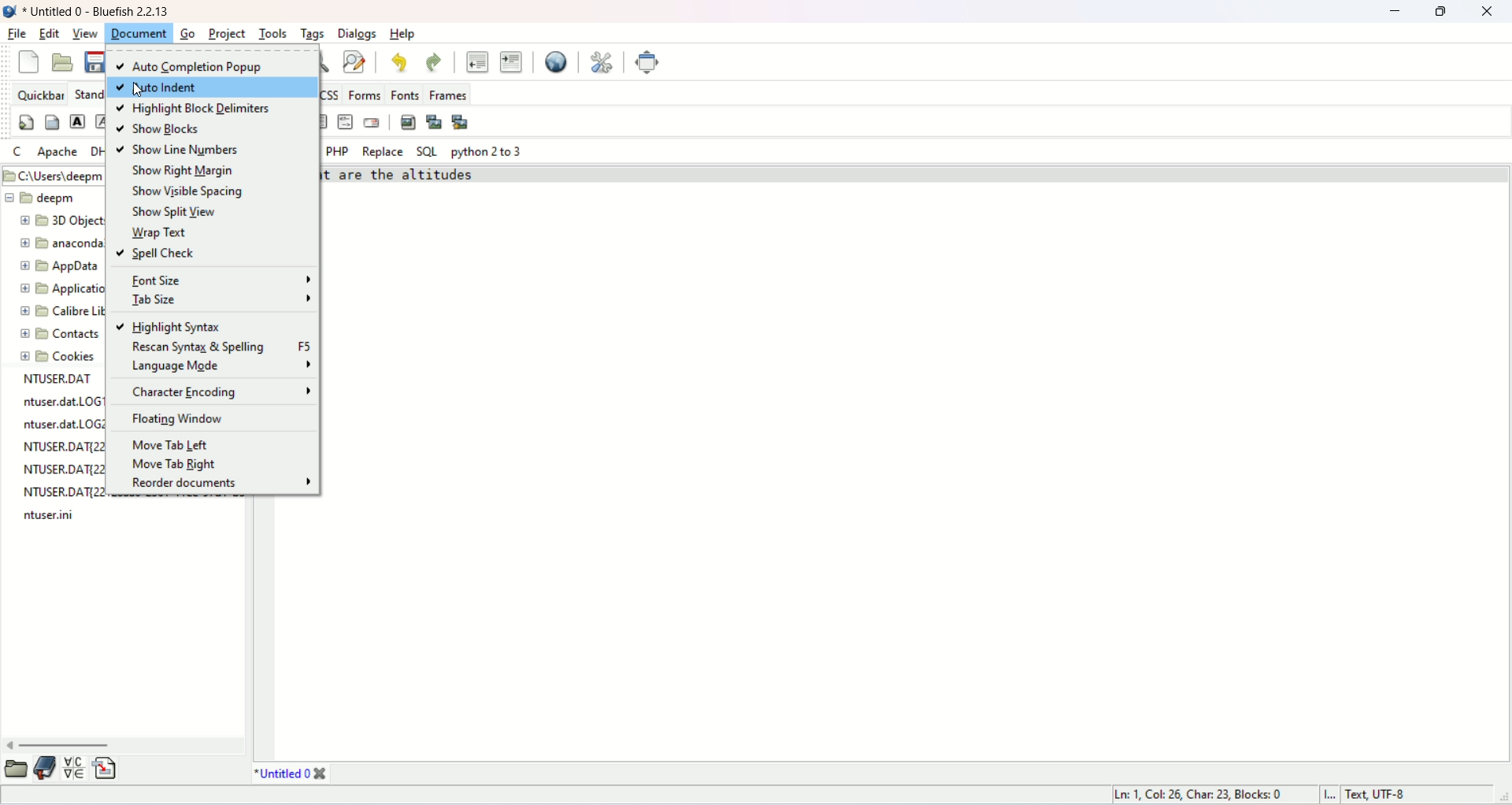 This screenshot has width=1512, height=805. What do you see at coordinates (346, 121) in the screenshot?
I see `HTML comment` at bounding box center [346, 121].